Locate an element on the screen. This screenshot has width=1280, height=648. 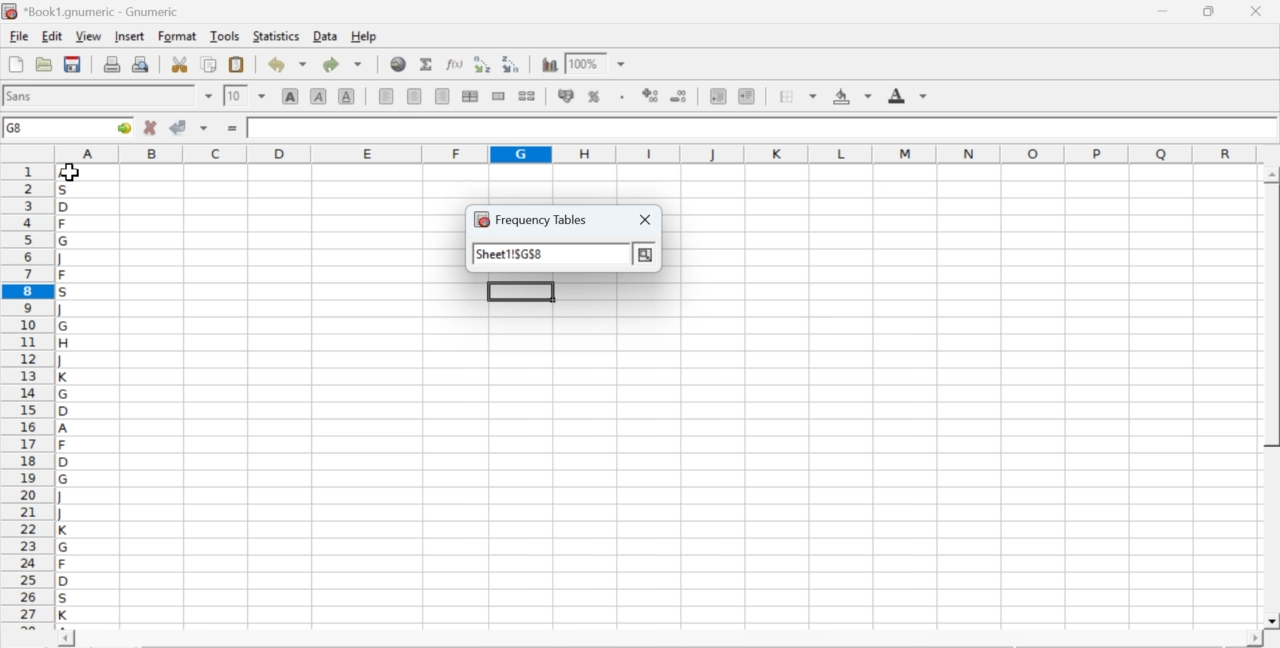
center horizontally is located at coordinates (470, 96).